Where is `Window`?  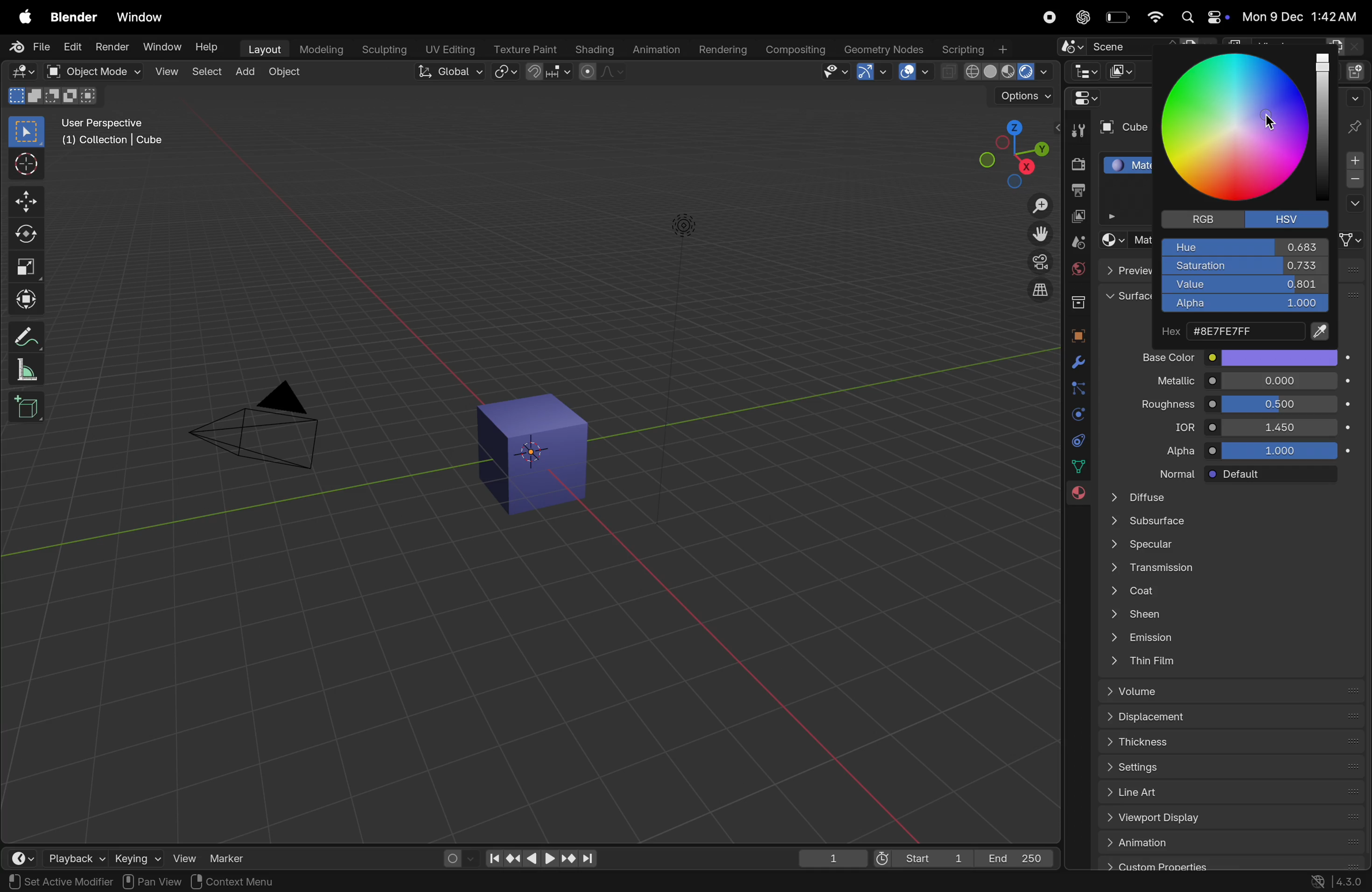
Window is located at coordinates (140, 18).